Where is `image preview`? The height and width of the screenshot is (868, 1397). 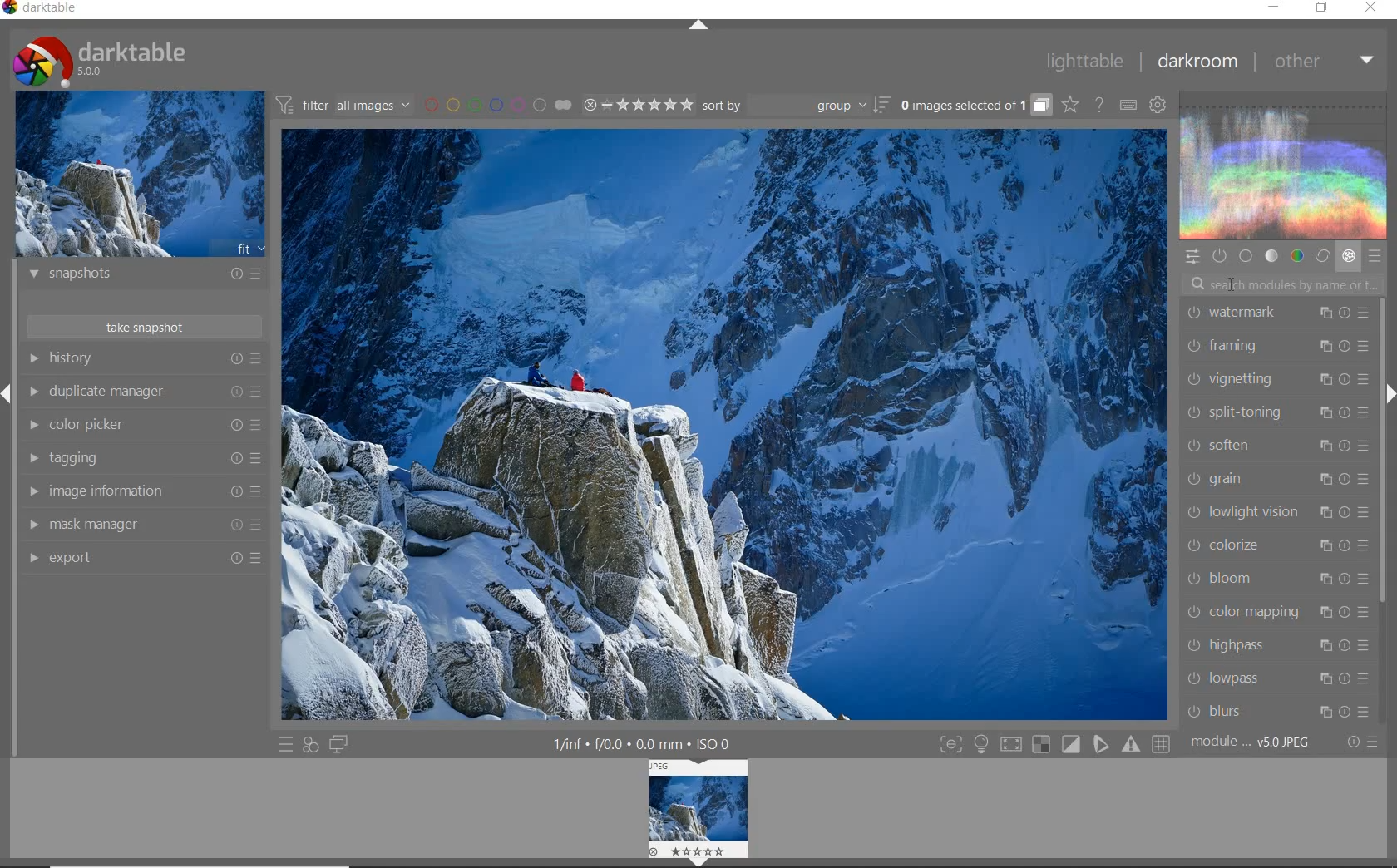 image preview is located at coordinates (141, 173).